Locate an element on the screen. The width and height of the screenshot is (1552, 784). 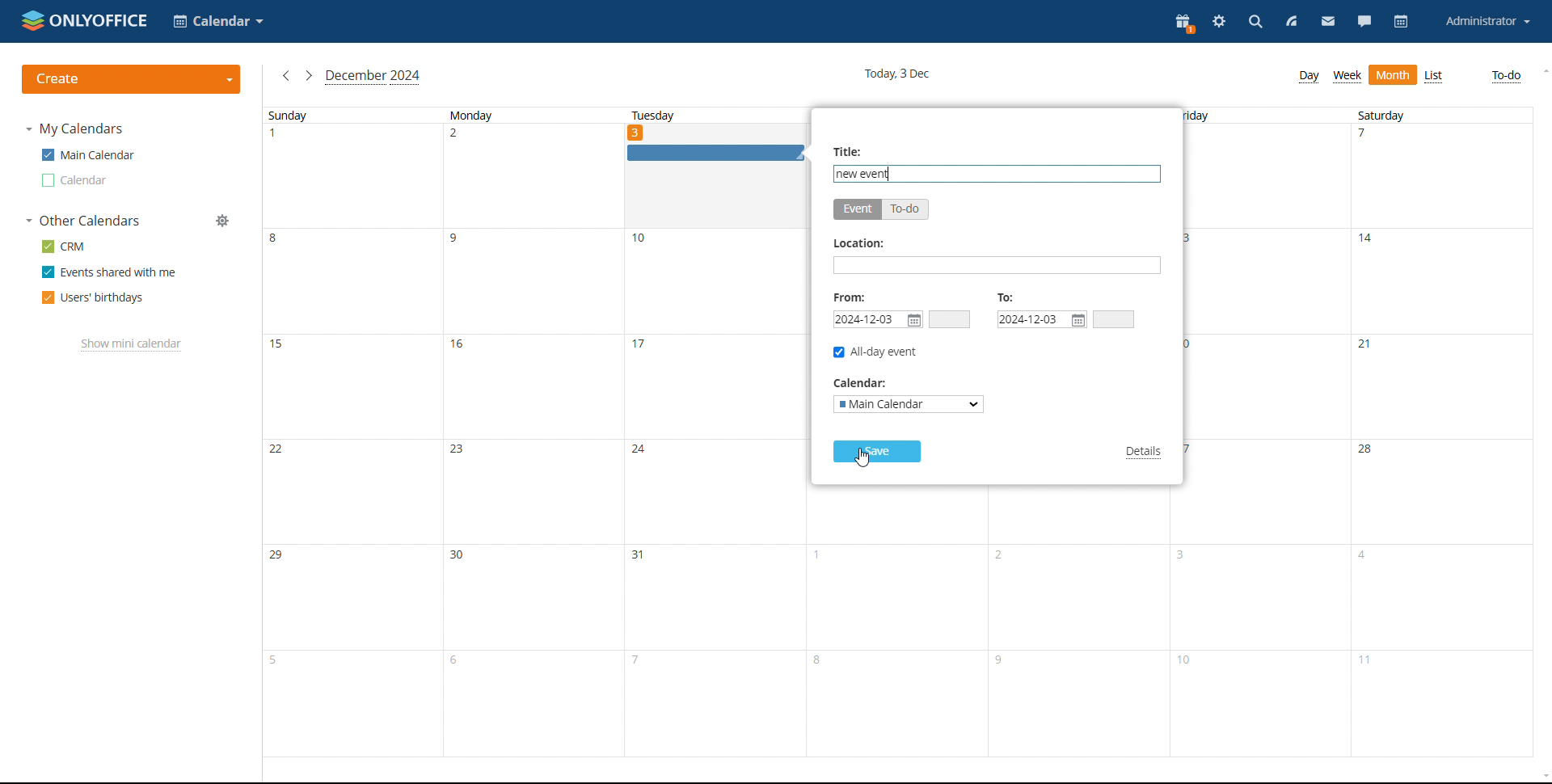
event is located at coordinates (855, 209).